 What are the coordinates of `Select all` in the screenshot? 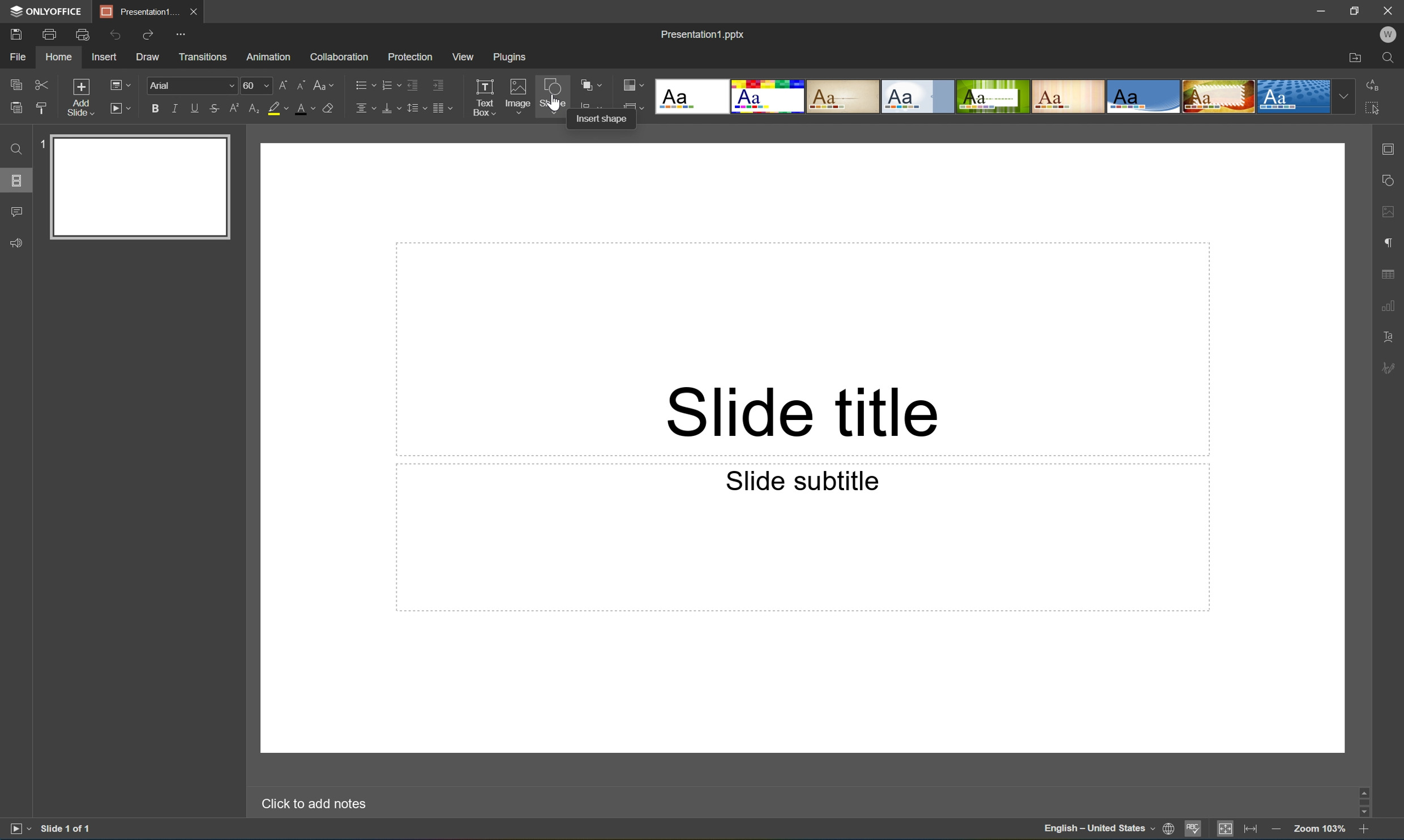 It's located at (1373, 112).